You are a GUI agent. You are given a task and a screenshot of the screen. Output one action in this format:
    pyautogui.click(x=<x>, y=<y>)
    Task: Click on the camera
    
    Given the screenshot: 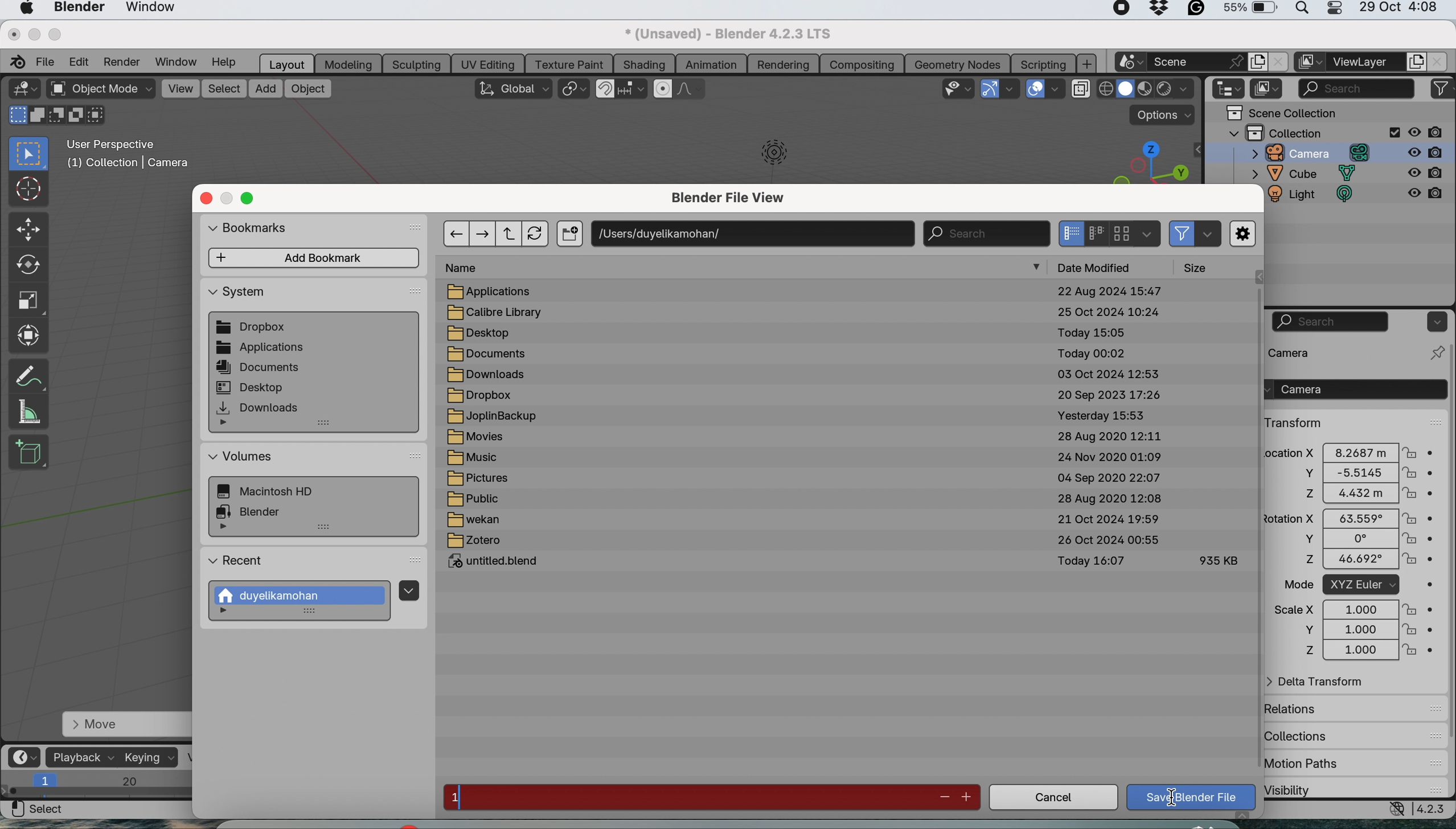 What is the action you would take?
    pyautogui.click(x=1310, y=352)
    